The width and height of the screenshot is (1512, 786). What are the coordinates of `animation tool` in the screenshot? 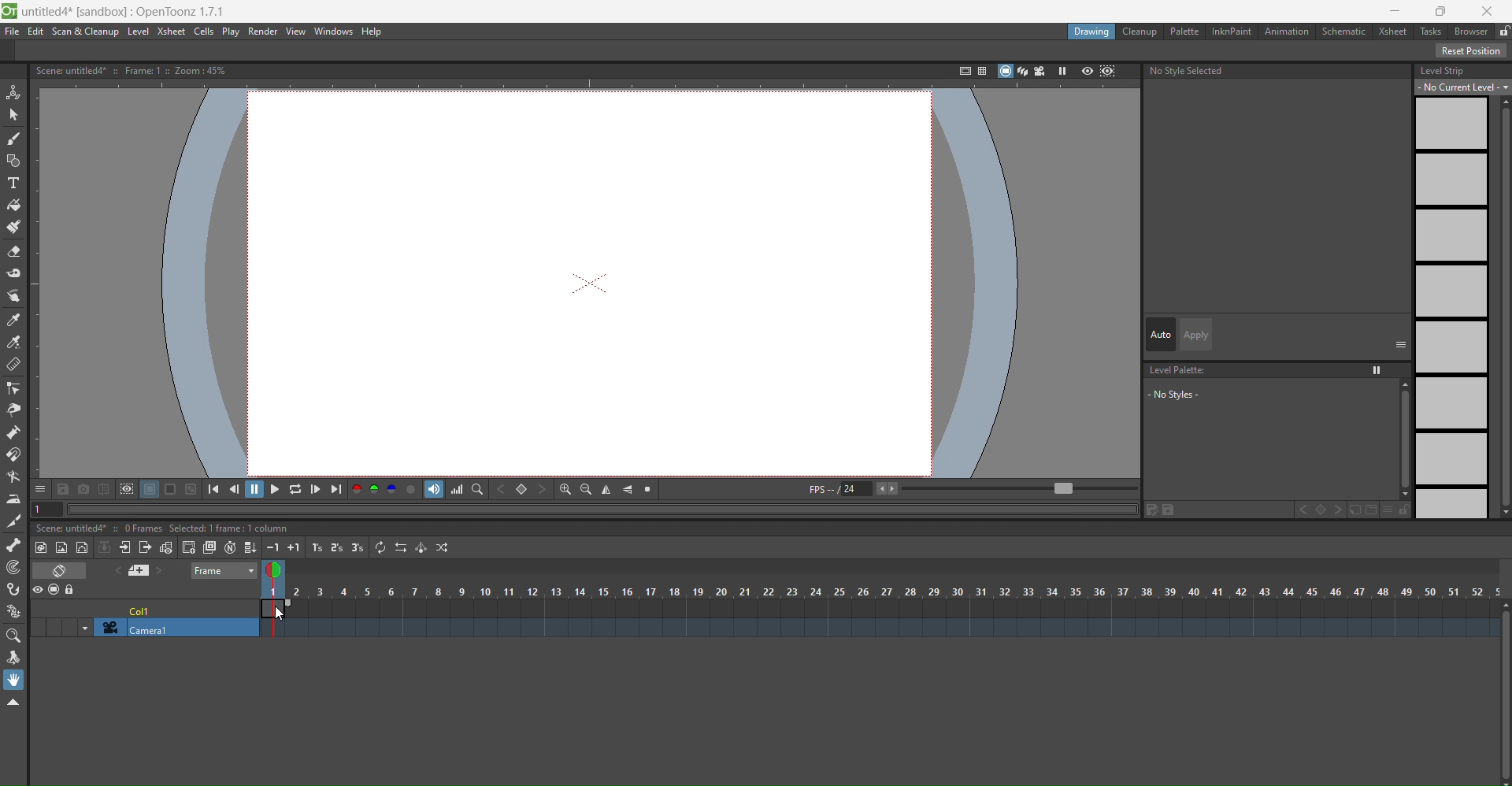 It's located at (14, 93).